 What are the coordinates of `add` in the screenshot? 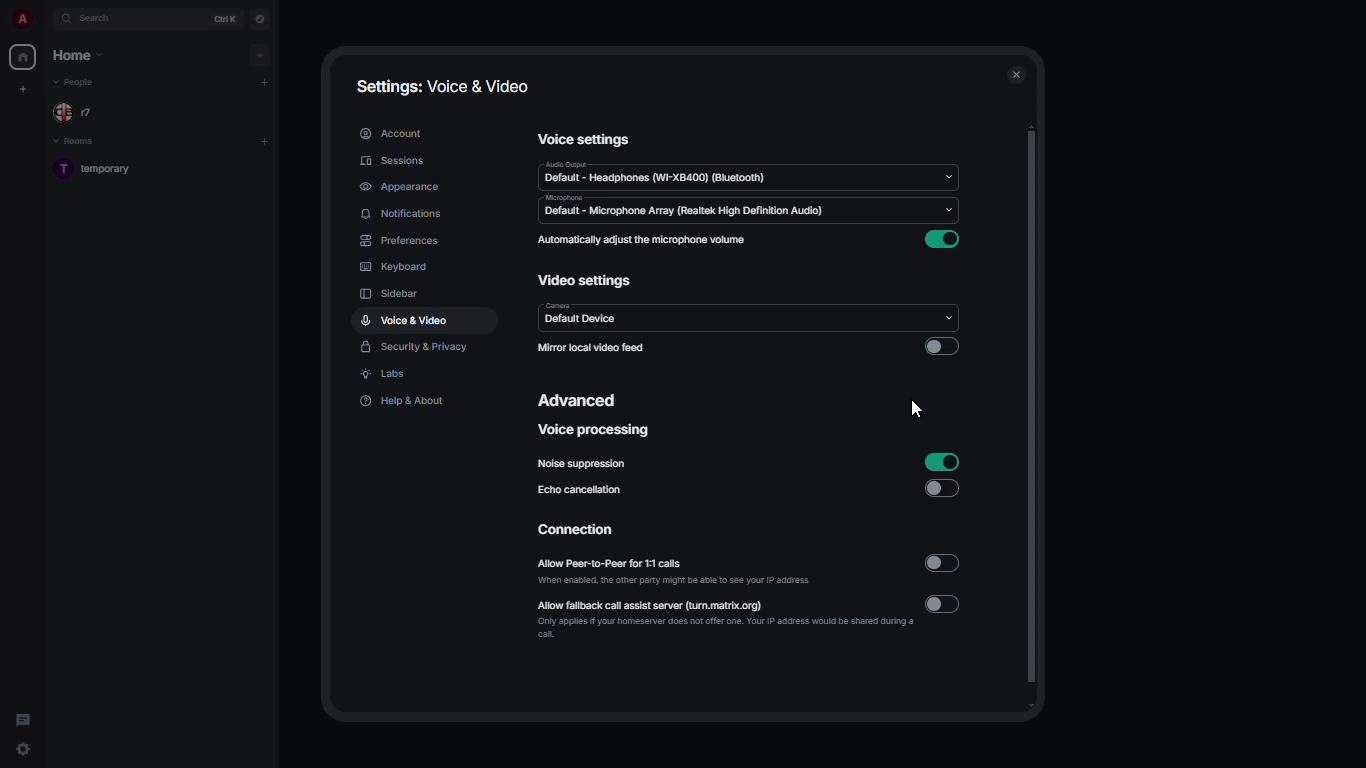 It's located at (262, 53).